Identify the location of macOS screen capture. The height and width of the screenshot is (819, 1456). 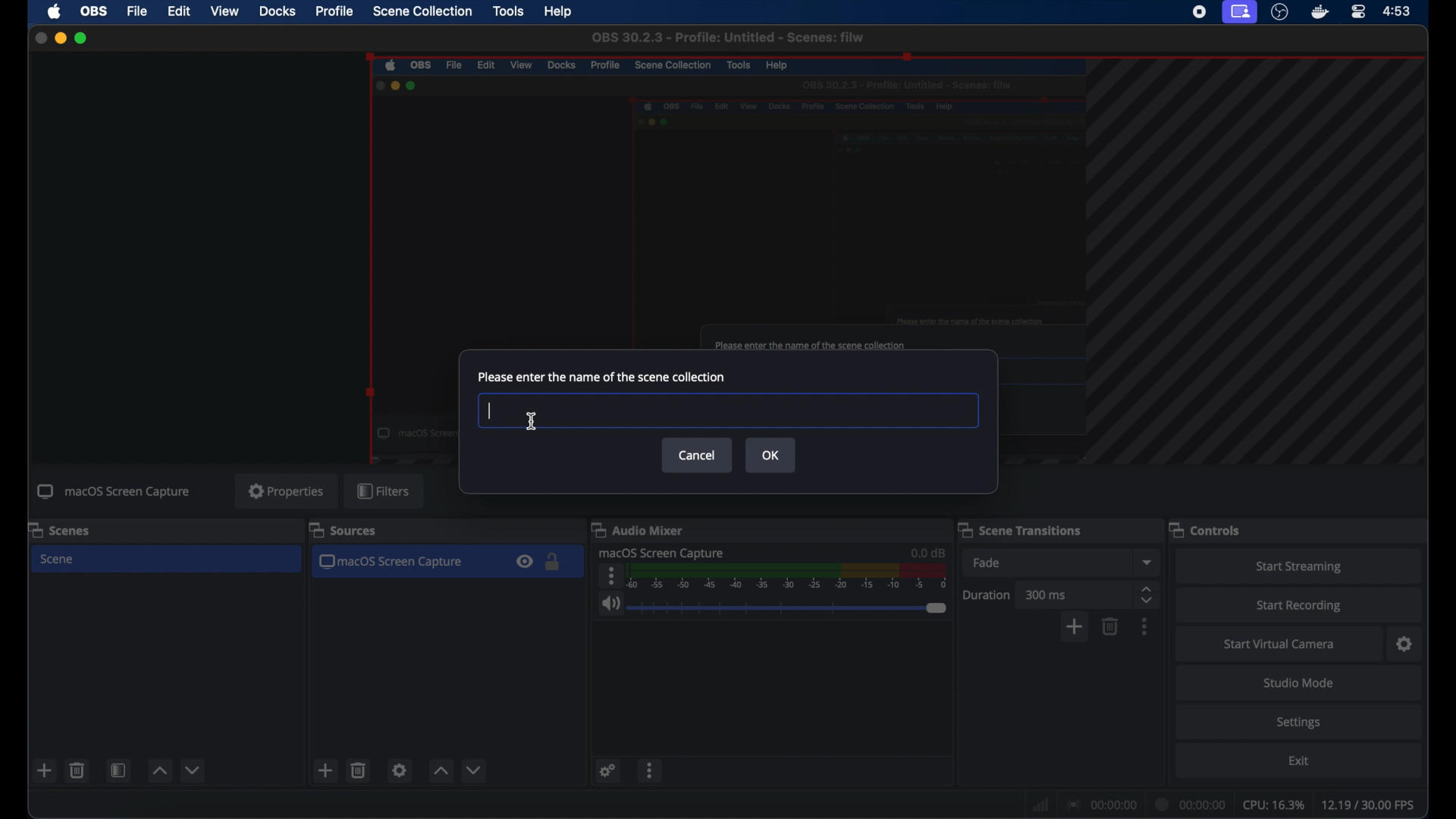
(114, 492).